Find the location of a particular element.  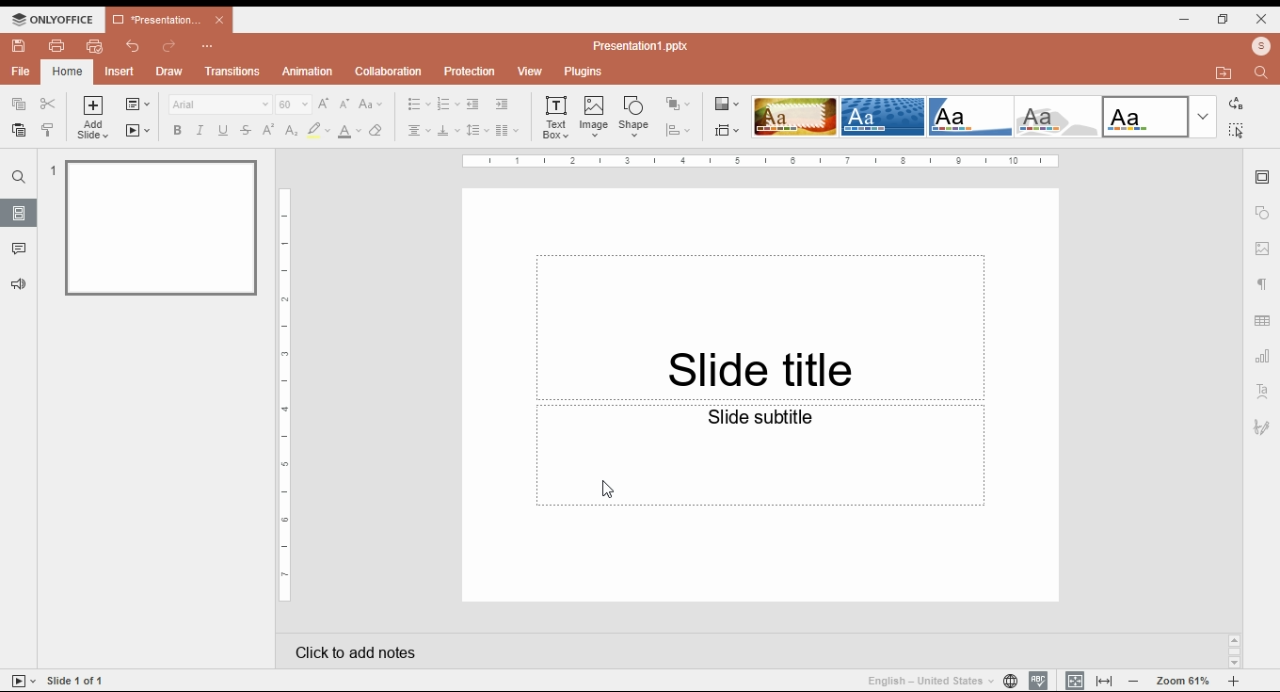

plugins is located at coordinates (584, 72).